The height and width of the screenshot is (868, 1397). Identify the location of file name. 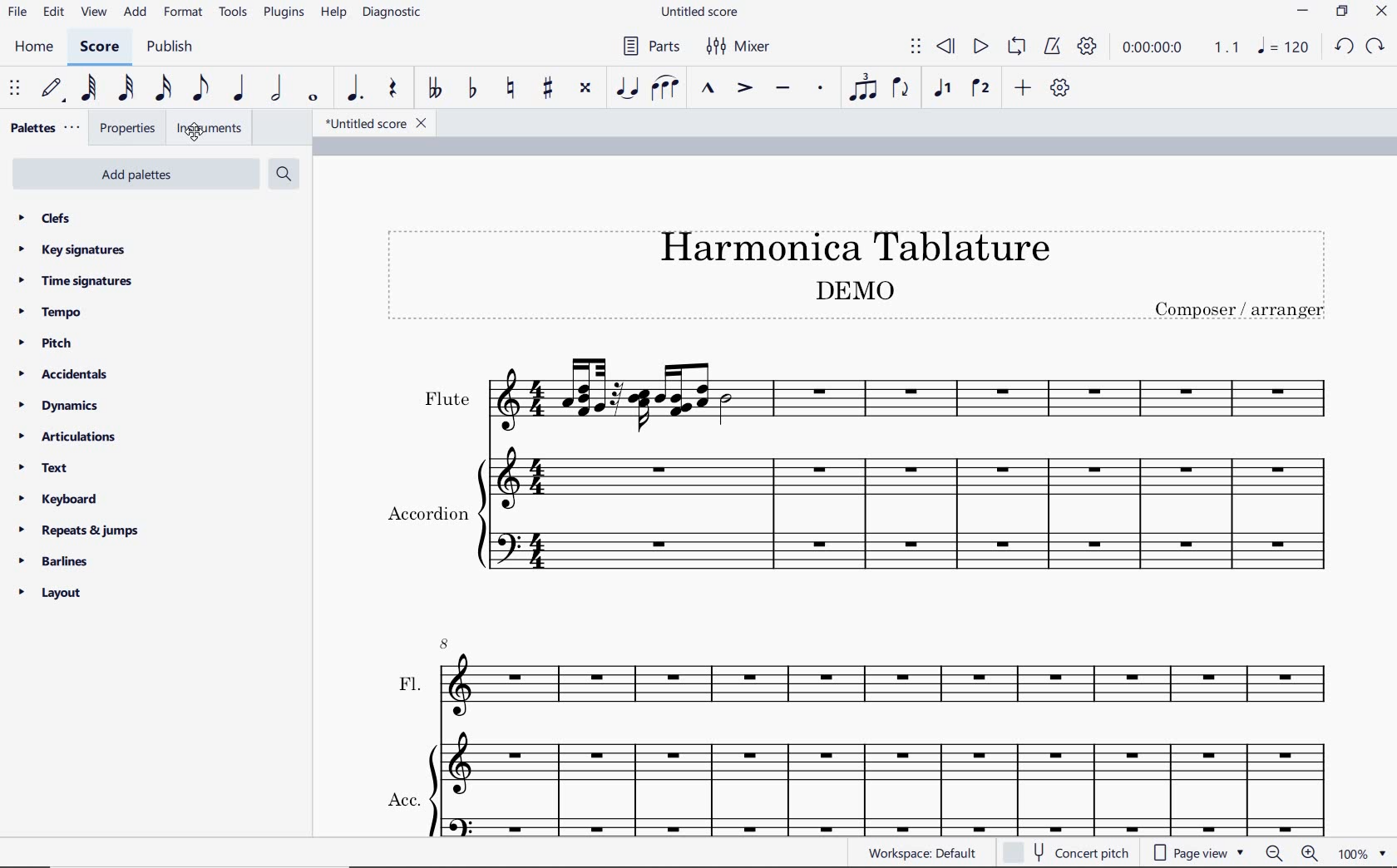
(369, 122).